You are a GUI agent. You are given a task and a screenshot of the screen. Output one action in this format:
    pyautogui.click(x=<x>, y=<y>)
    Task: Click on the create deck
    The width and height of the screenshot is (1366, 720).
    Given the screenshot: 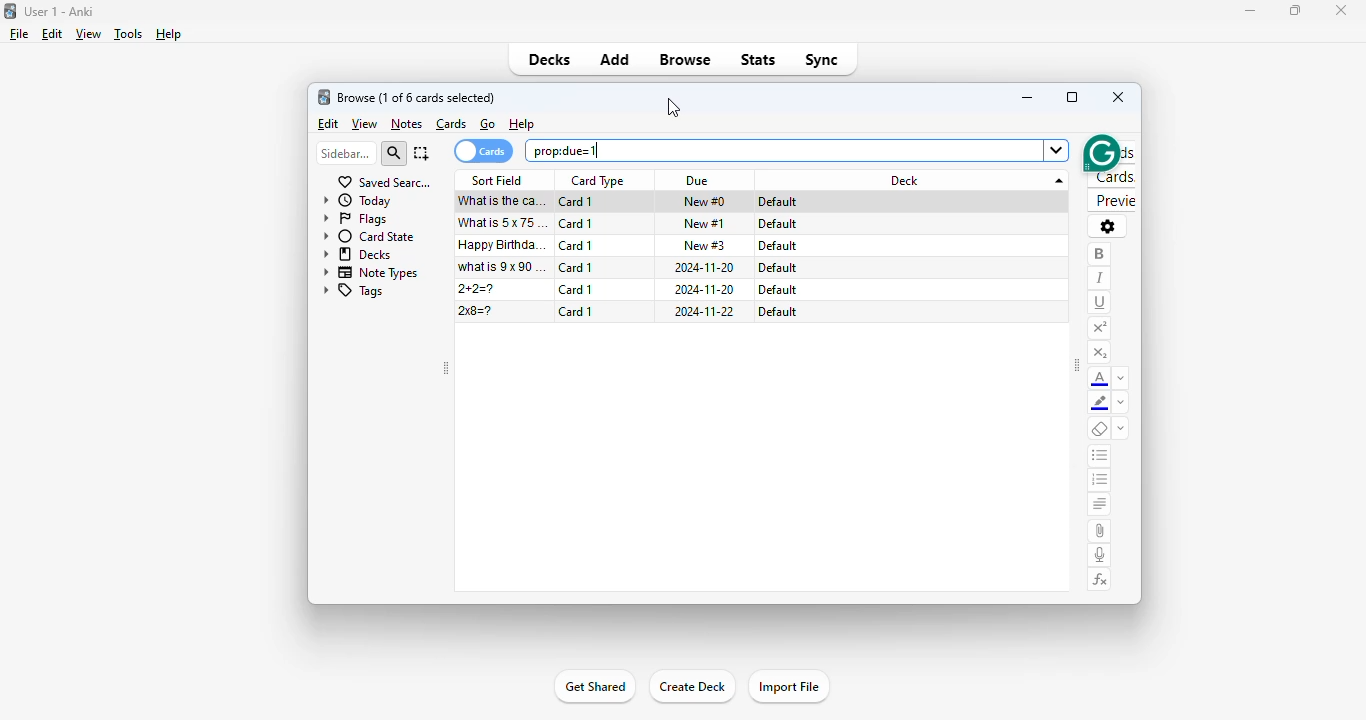 What is the action you would take?
    pyautogui.click(x=692, y=686)
    